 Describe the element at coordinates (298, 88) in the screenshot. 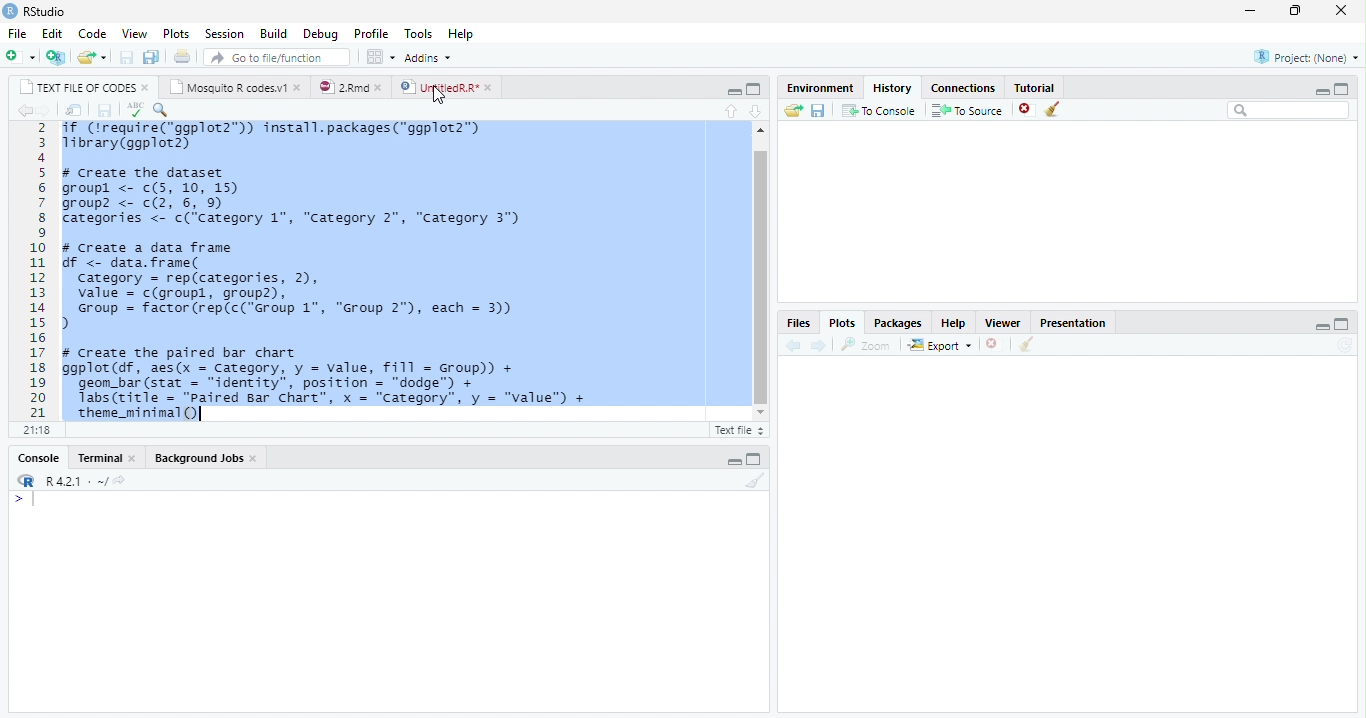

I see `close` at that location.